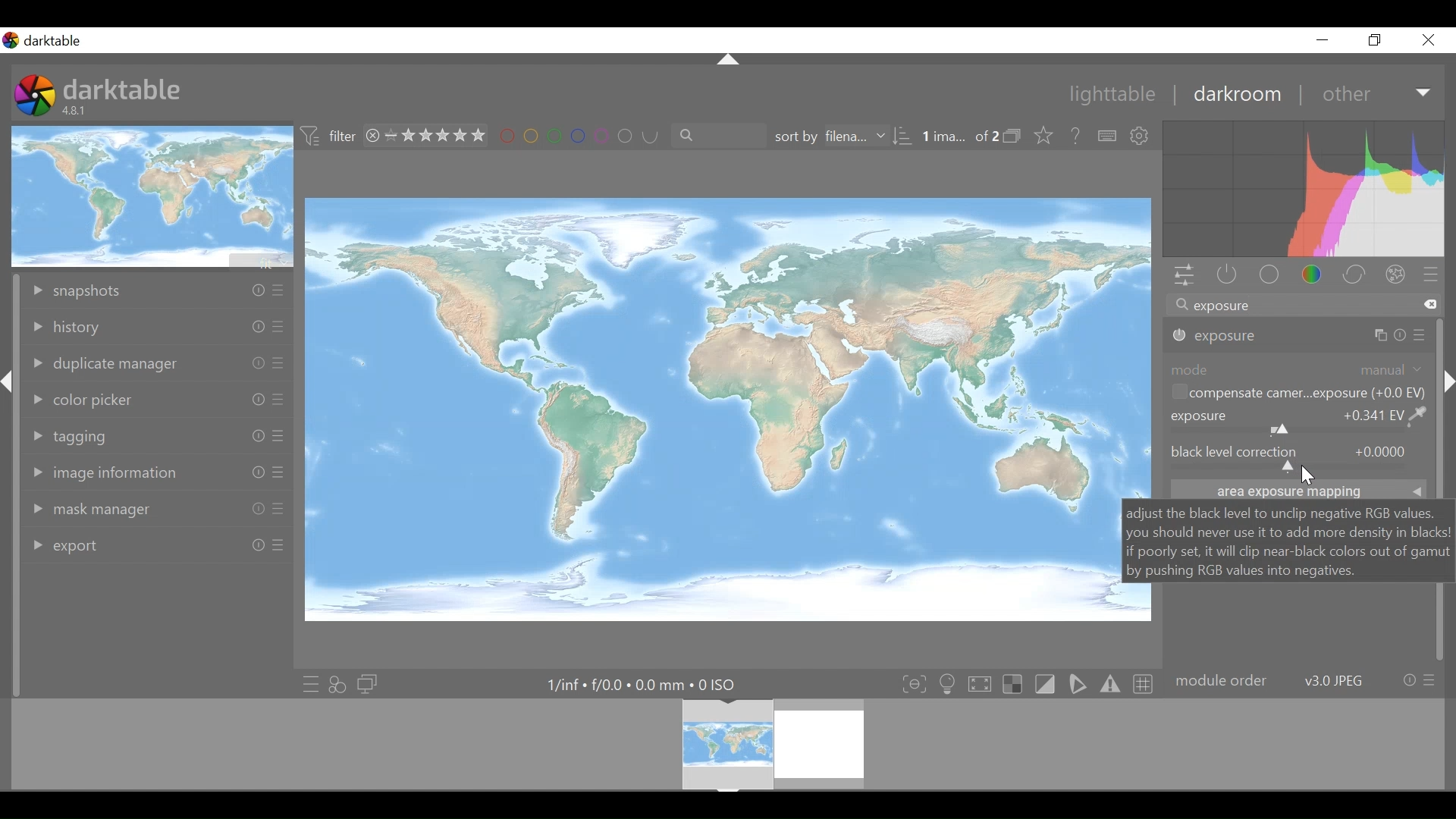  What do you see at coordinates (1395, 273) in the screenshot?
I see `effect` at bounding box center [1395, 273].